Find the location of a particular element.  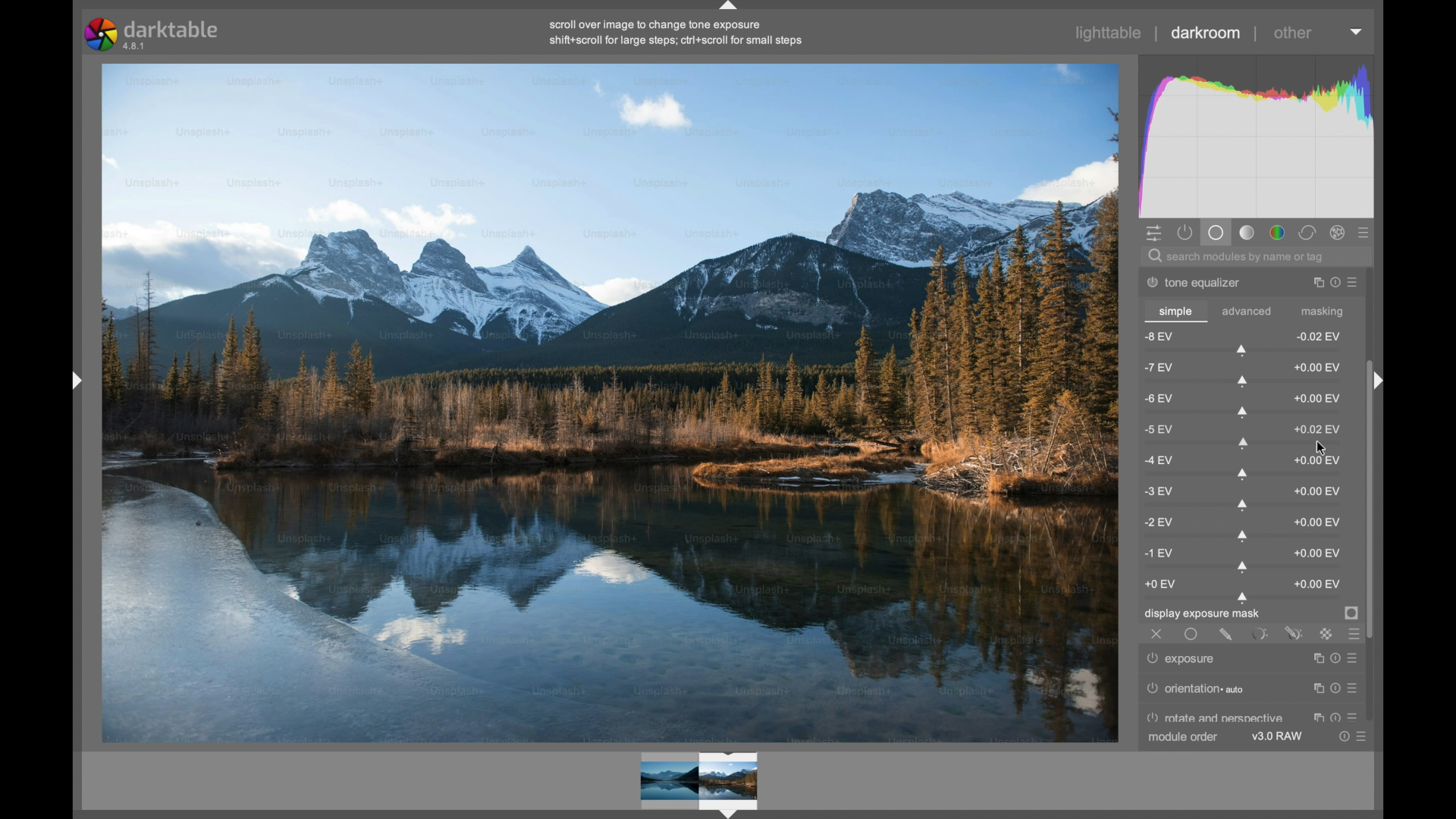

slider is located at coordinates (1242, 381).